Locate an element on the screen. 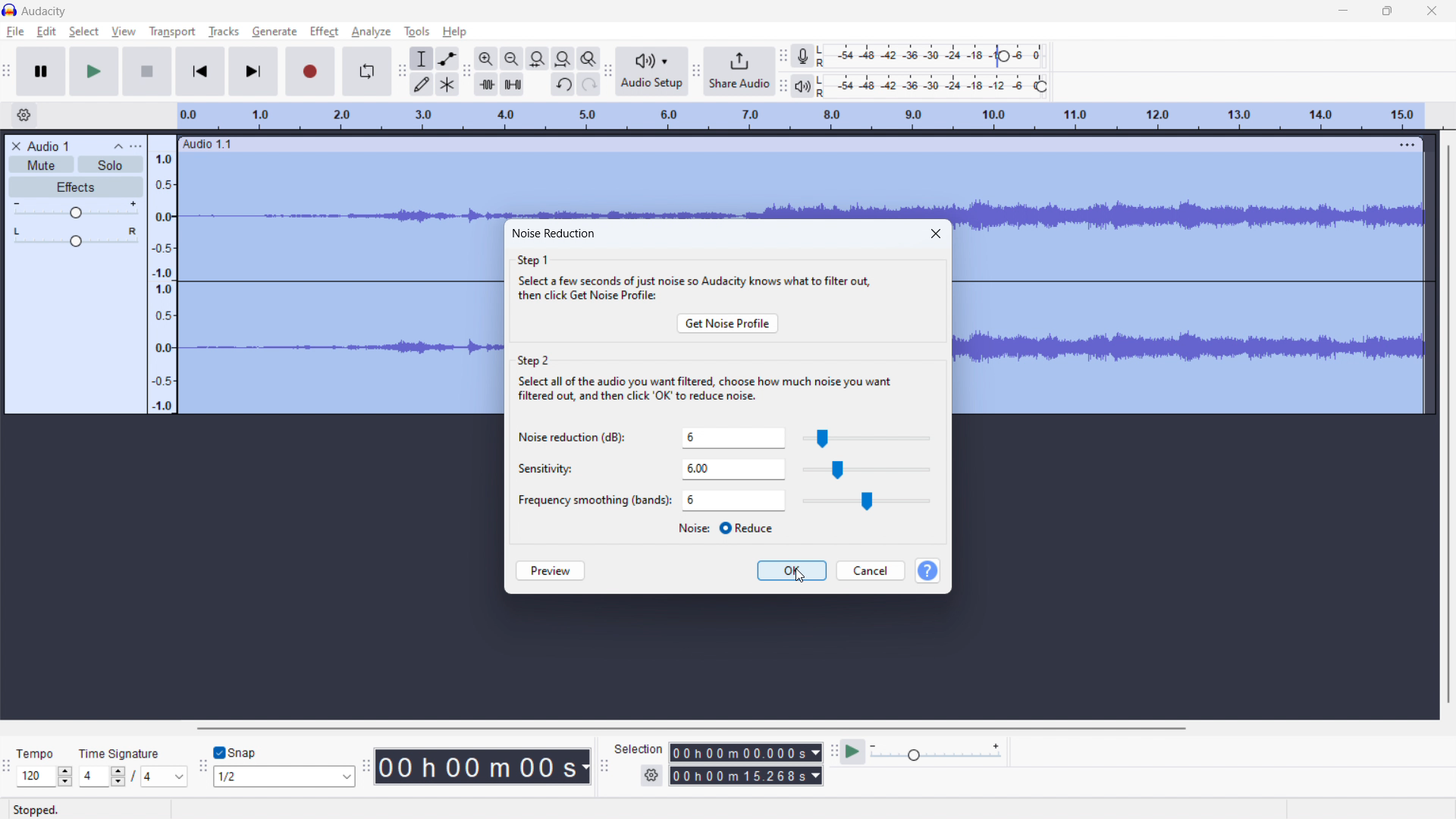 Image resolution: width=1456 pixels, height=819 pixels. transport toolbar is located at coordinates (8, 70).